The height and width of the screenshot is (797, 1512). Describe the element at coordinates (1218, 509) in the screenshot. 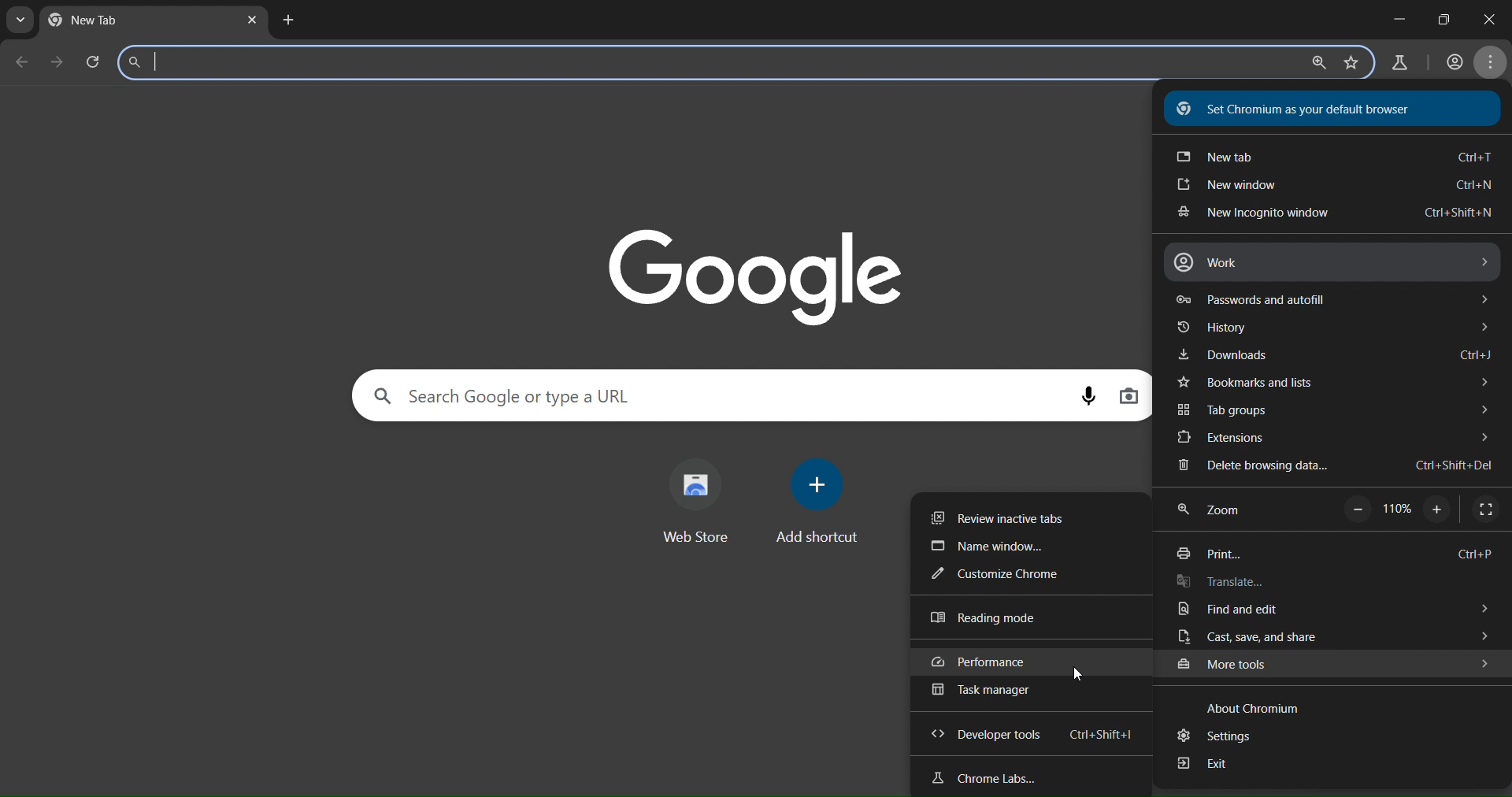

I see `zoom` at that location.